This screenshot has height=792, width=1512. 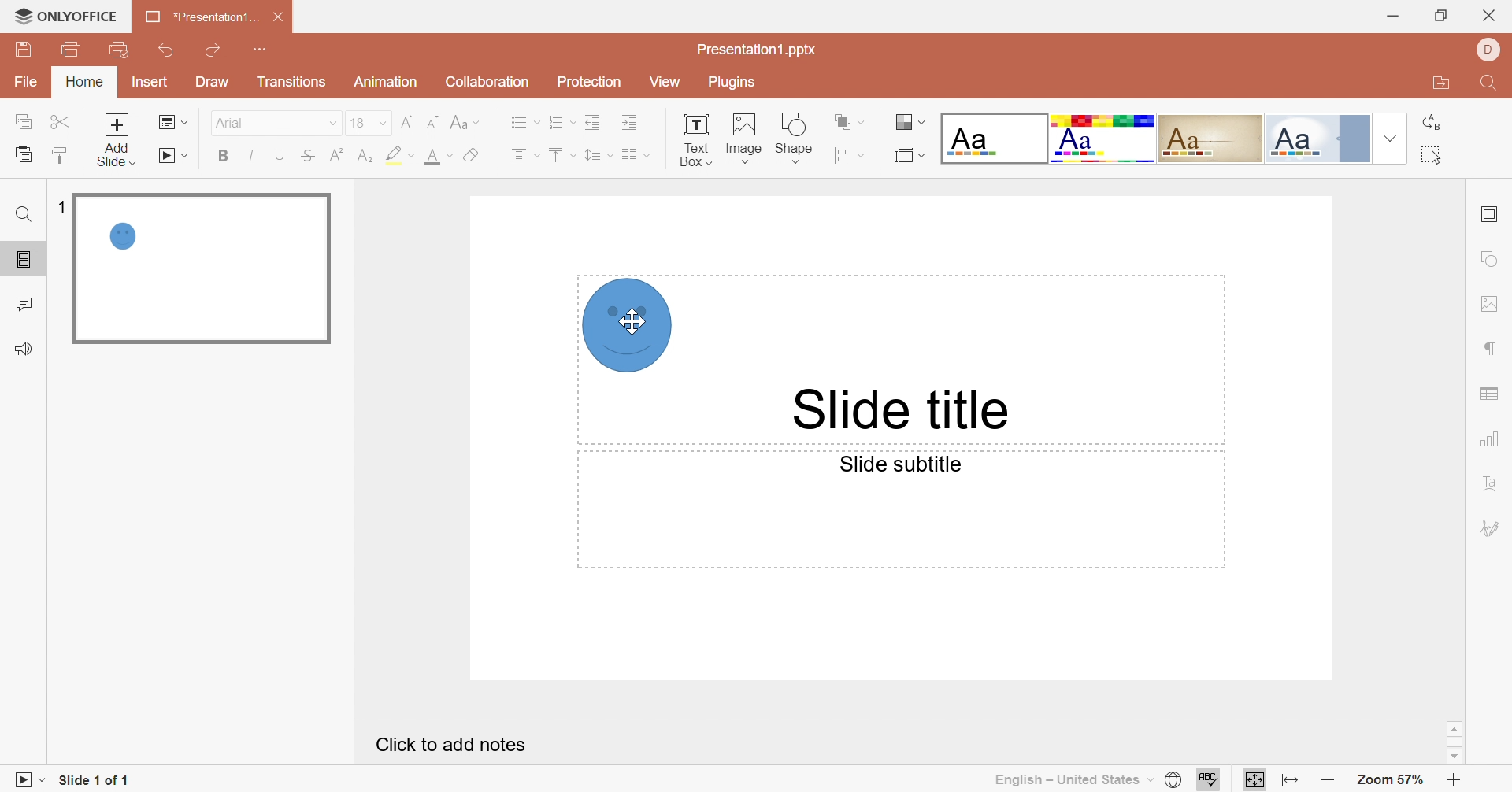 What do you see at coordinates (216, 50) in the screenshot?
I see `Redo` at bounding box center [216, 50].